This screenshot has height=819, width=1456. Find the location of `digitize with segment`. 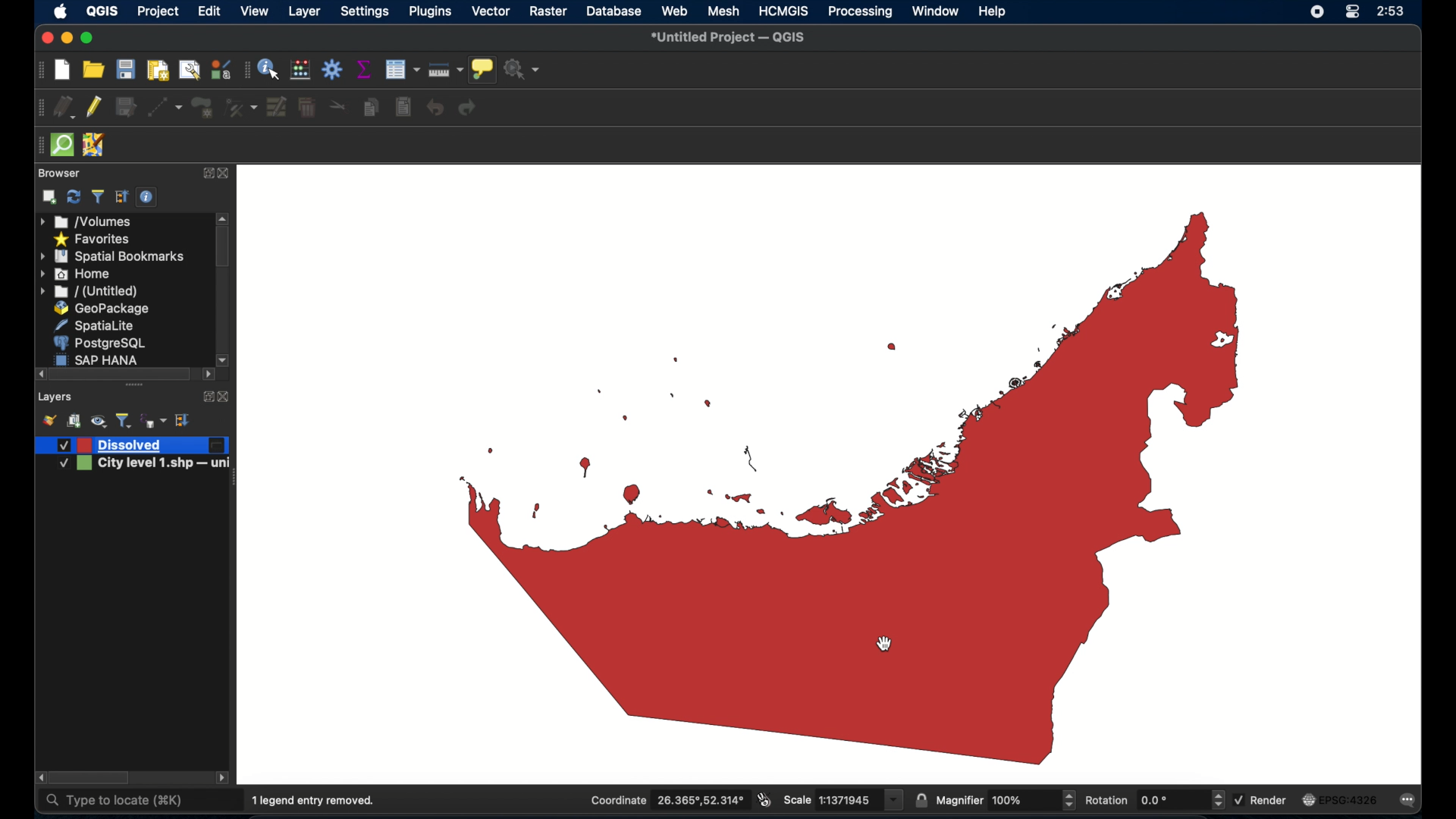

digitize with segment is located at coordinates (165, 108).